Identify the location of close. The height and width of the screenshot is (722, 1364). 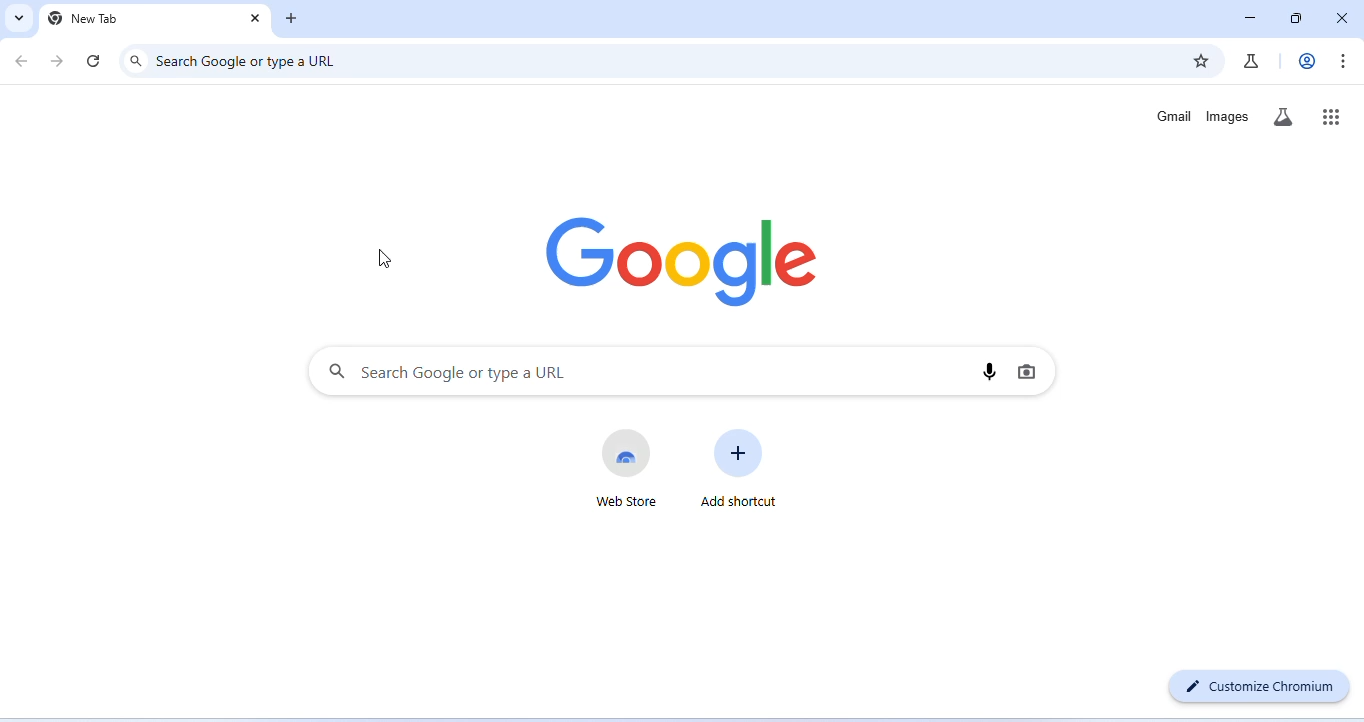
(252, 18).